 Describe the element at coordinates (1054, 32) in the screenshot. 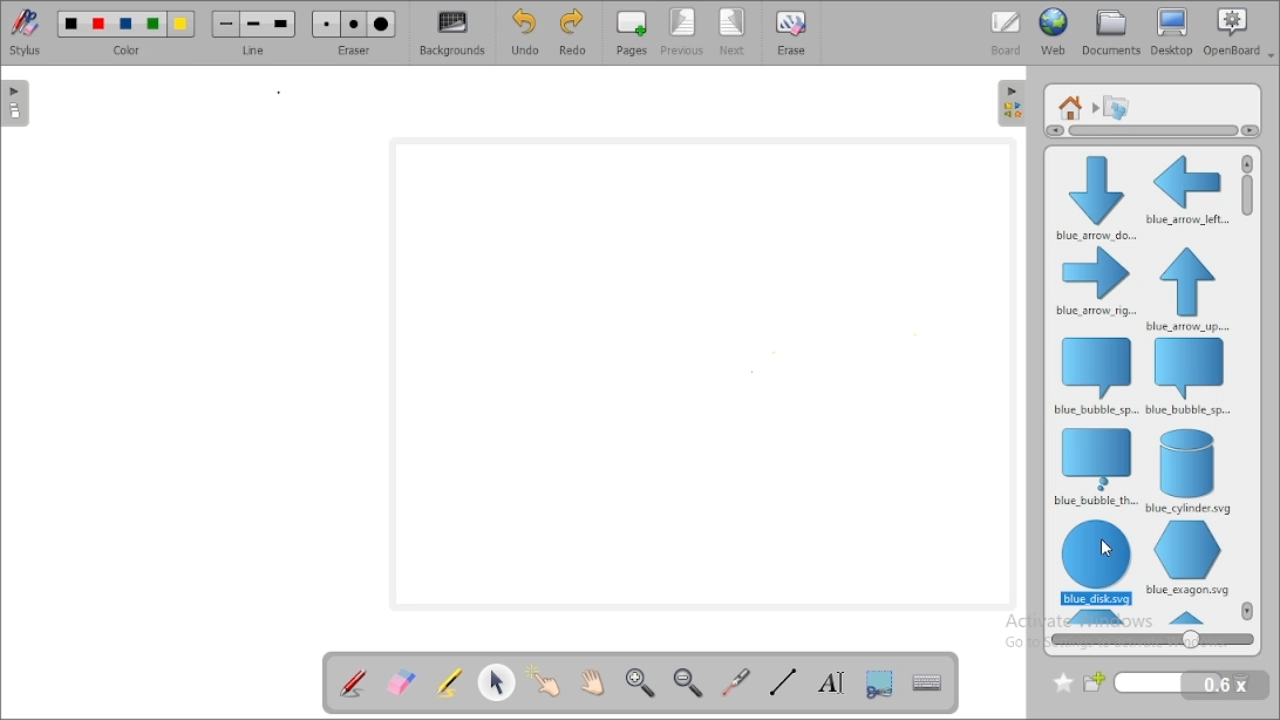

I see `web` at that location.